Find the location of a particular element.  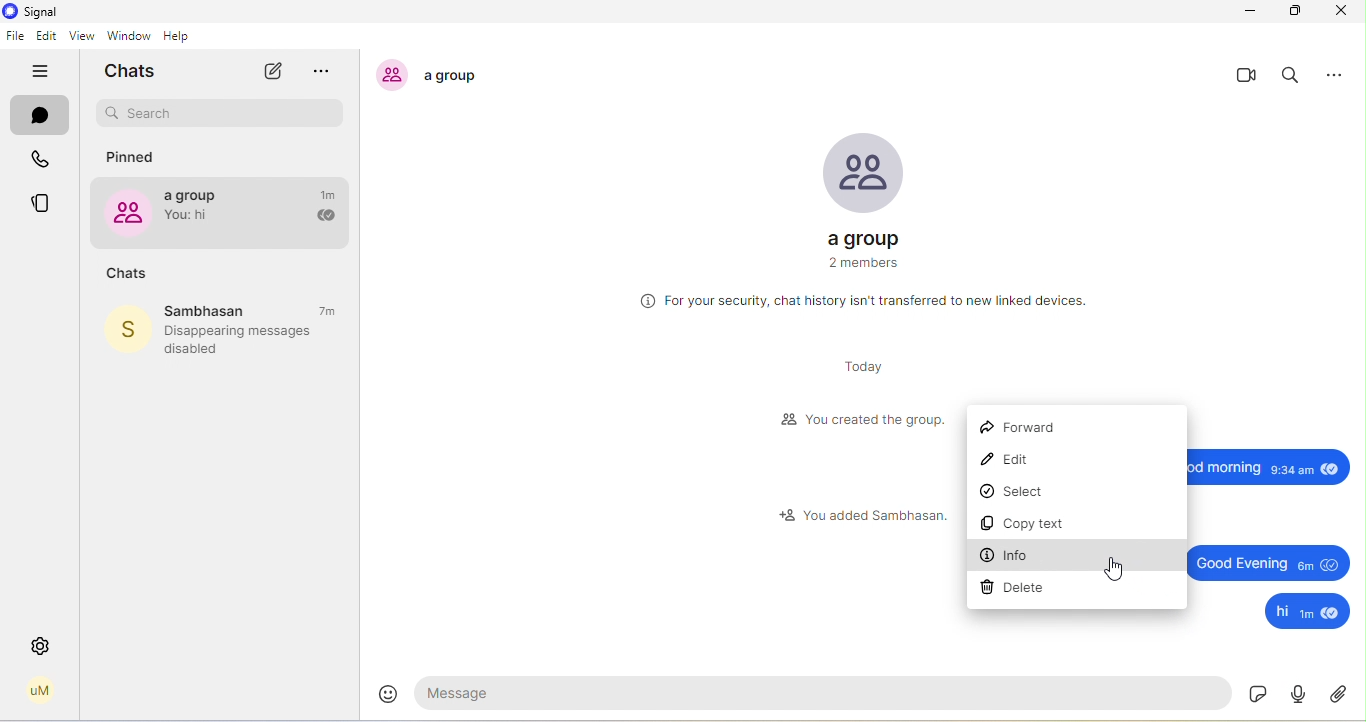

grammarly plug in is located at coordinates (1292, 695).